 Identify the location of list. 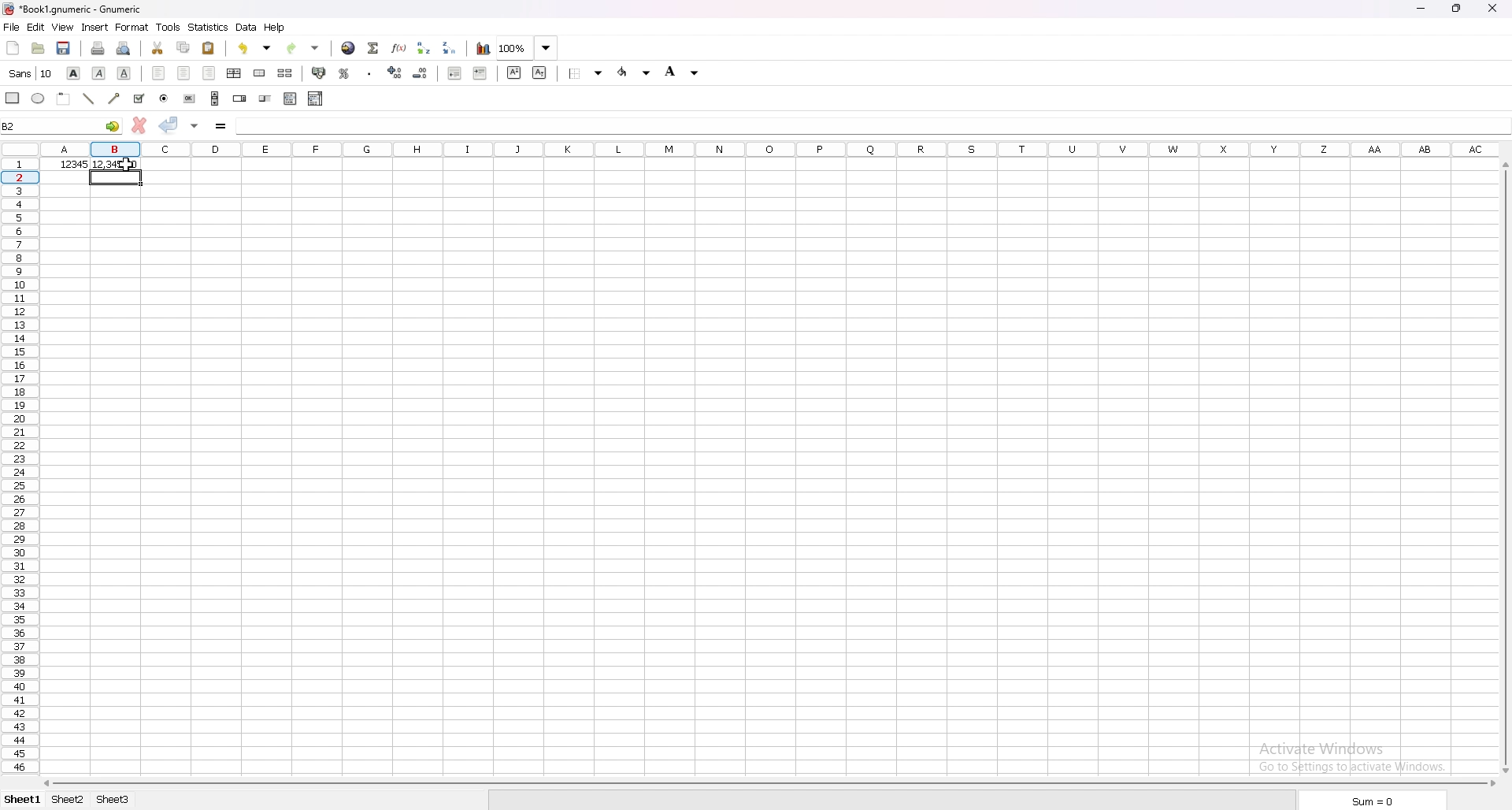
(290, 98).